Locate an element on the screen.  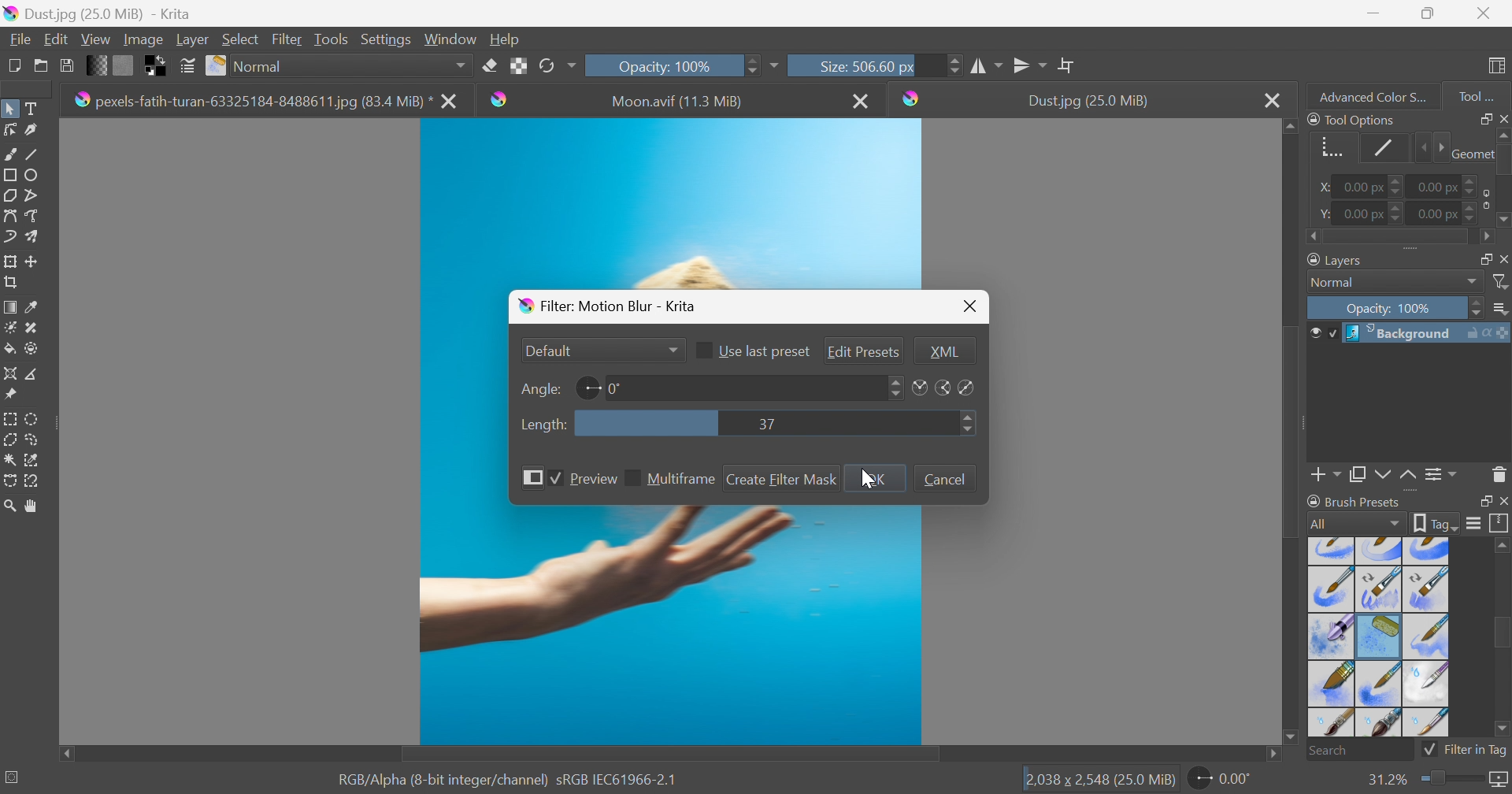
Close is located at coordinates (1503, 117).